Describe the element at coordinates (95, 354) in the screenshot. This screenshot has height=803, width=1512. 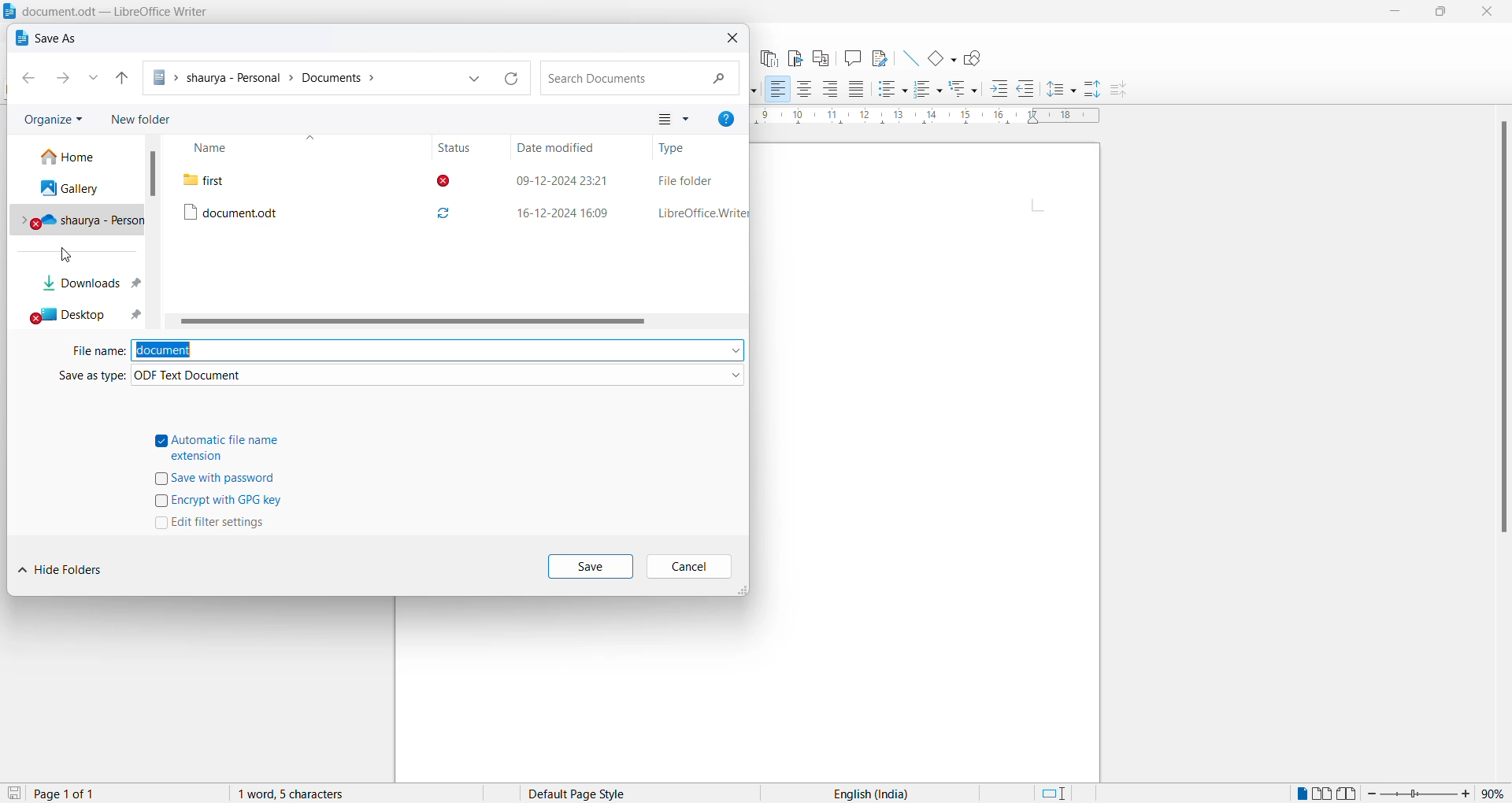
I see `file name` at that location.